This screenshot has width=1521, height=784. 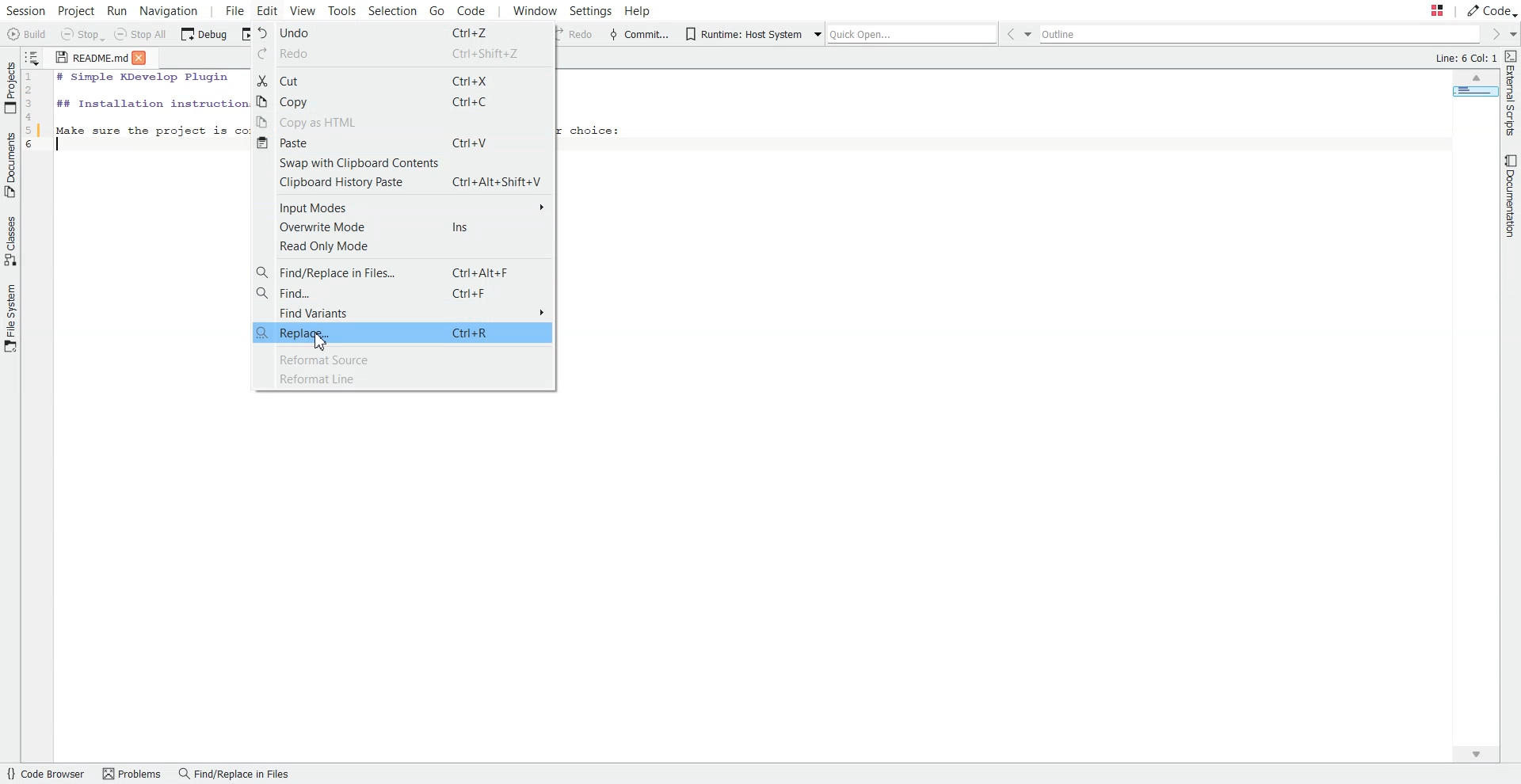 I want to click on Line:6 Col:1, so click(x=1463, y=59).